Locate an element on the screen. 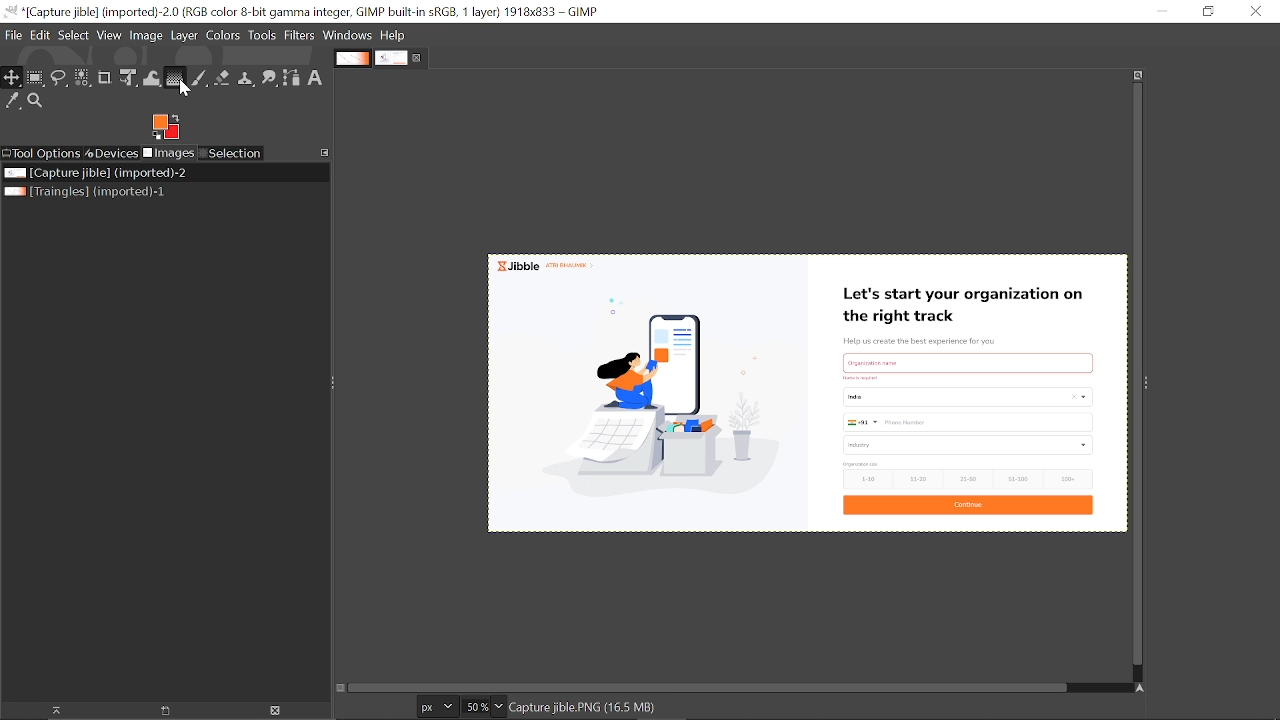  Selection is located at coordinates (232, 153).